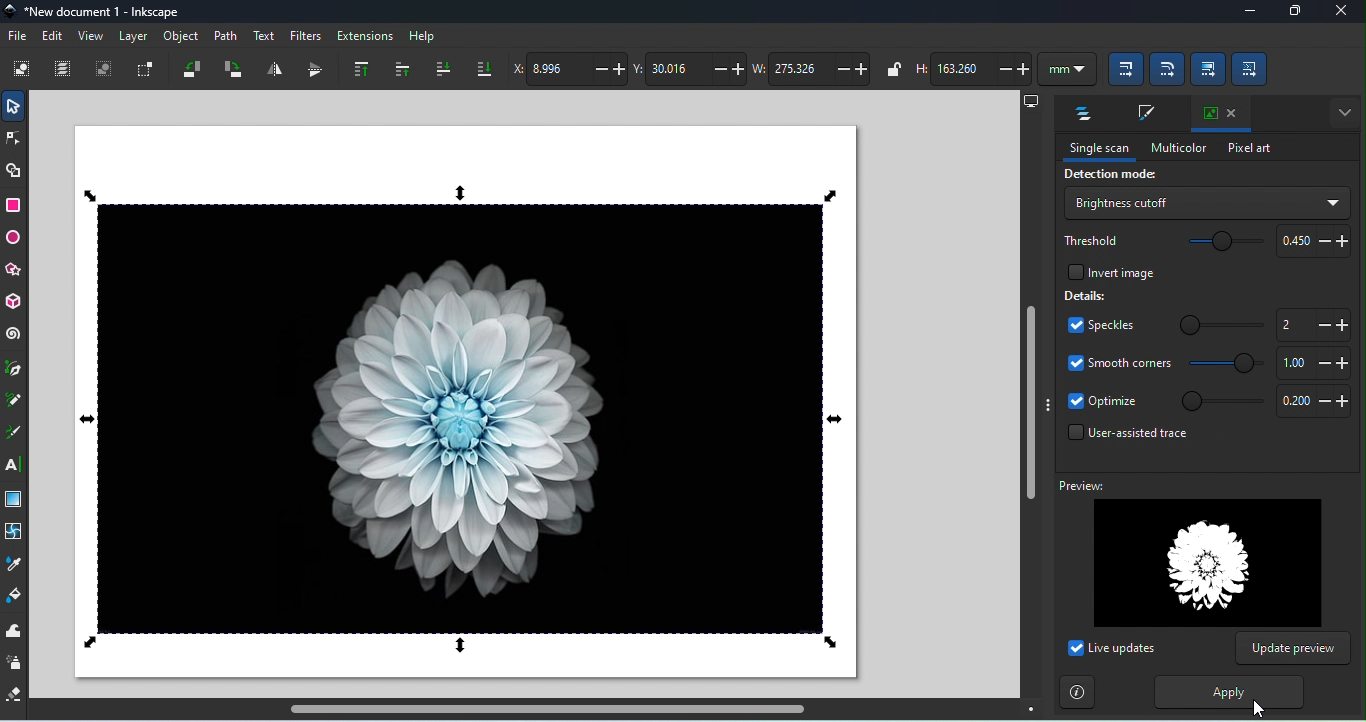  I want to click on Node tool, so click(16, 137).